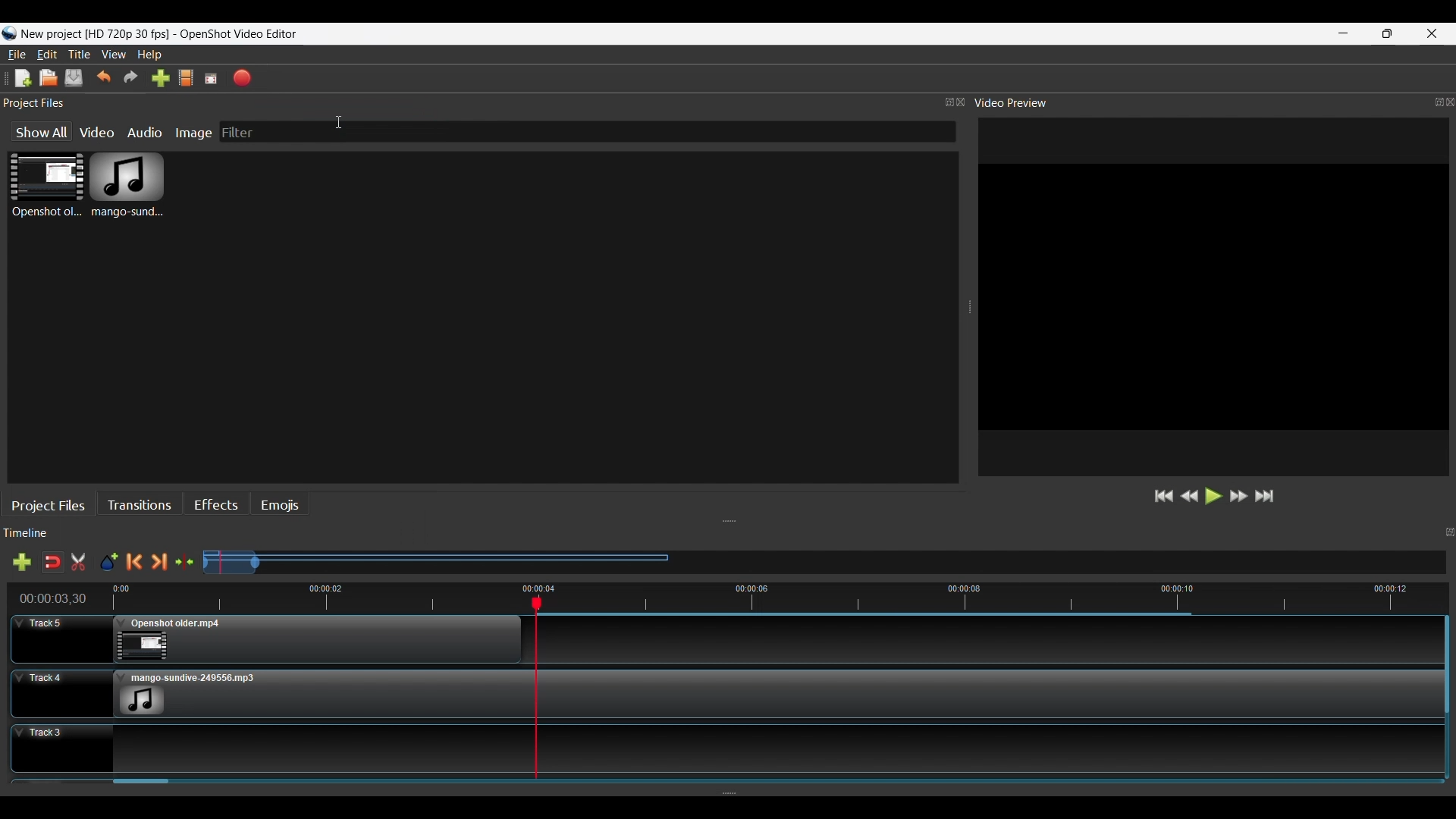  What do you see at coordinates (111, 558) in the screenshot?
I see `Add Marker` at bounding box center [111, 558].